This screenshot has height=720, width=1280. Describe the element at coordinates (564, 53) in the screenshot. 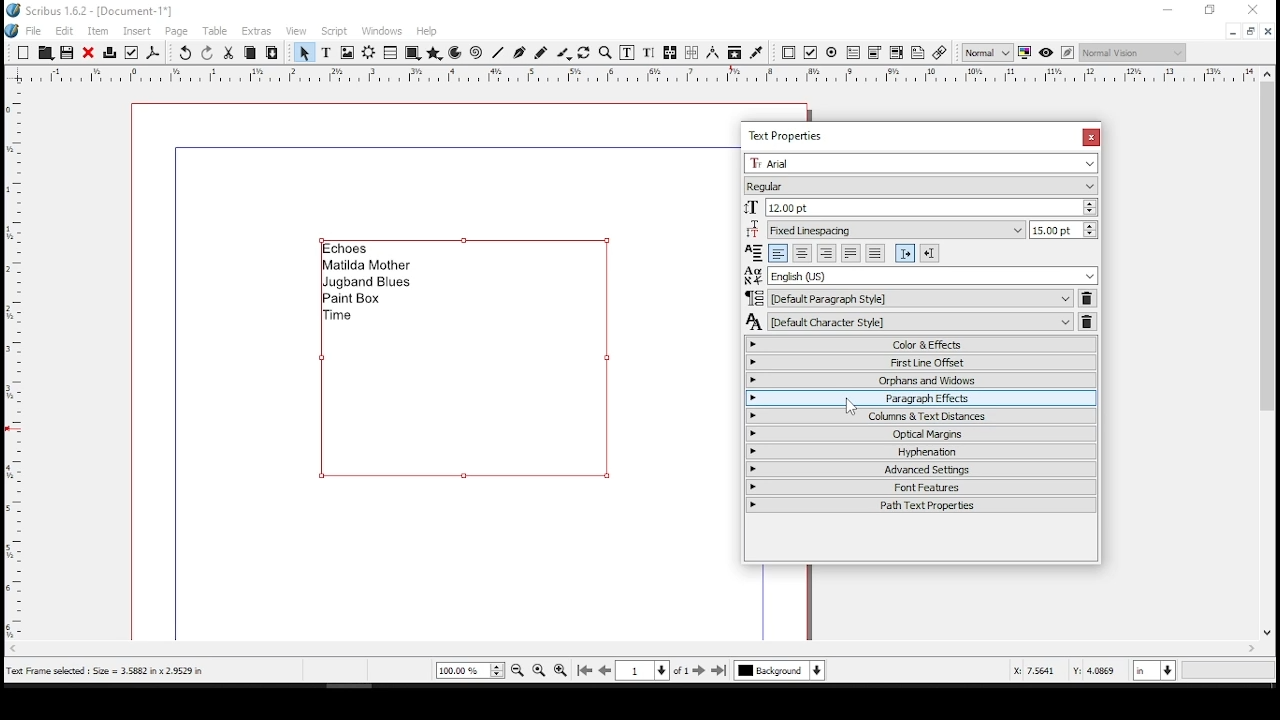

I see `calligraphy lines` at that location.